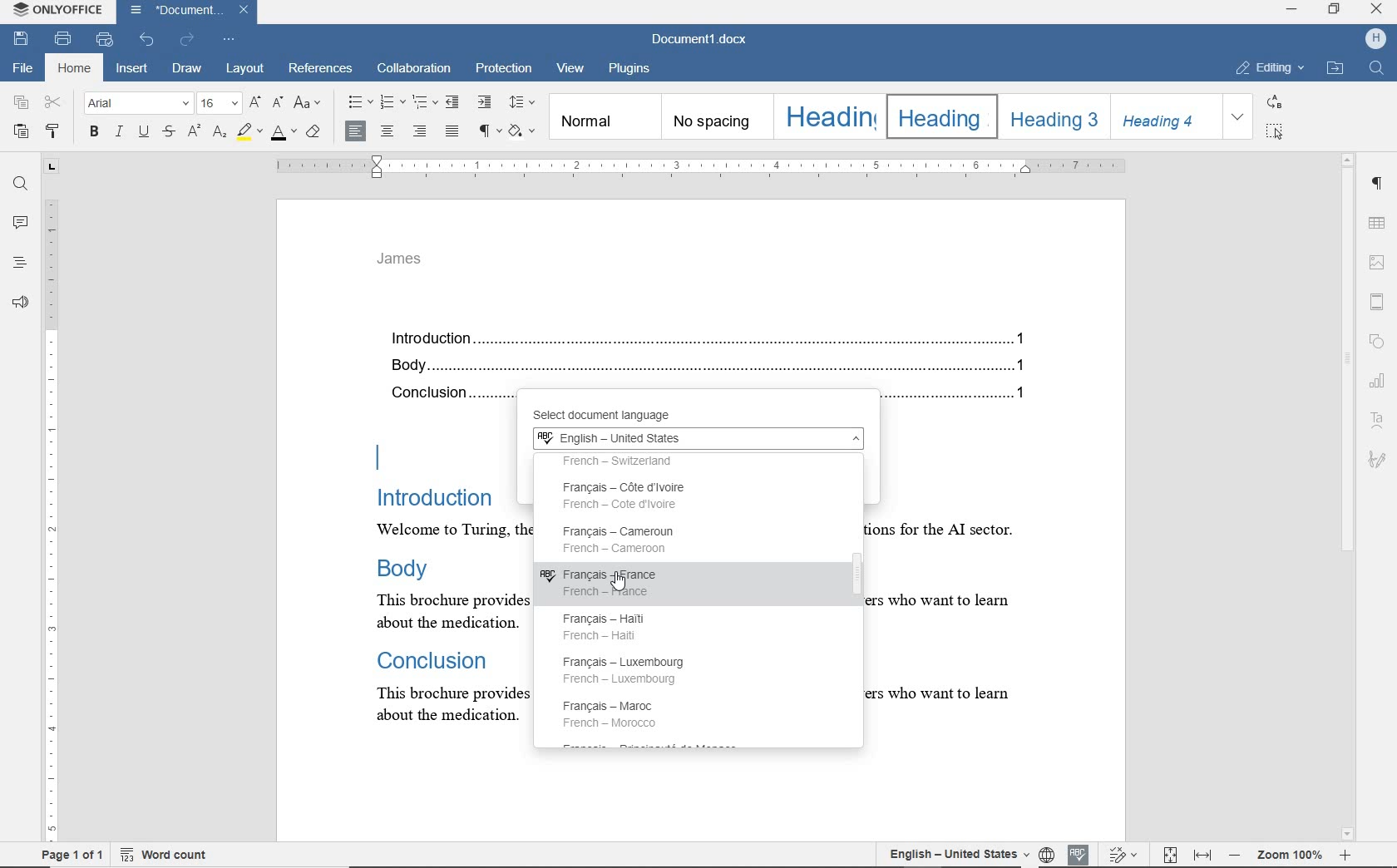 The height and width of the screenshot is (868, 1397). Describe the element at coordinates (423, 101) in the screenshot. I see `multilevel list` at that location.